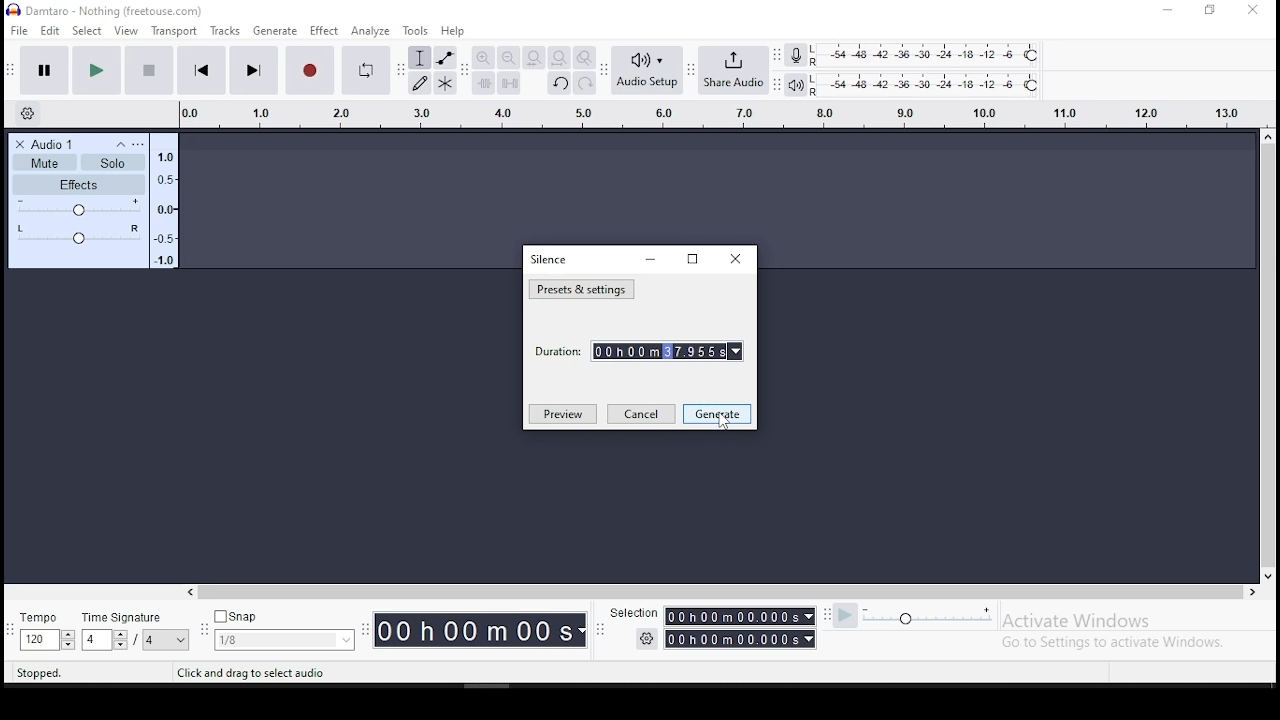 The image size is (1280, 720). I want to click on tracks, so click(224, 31).